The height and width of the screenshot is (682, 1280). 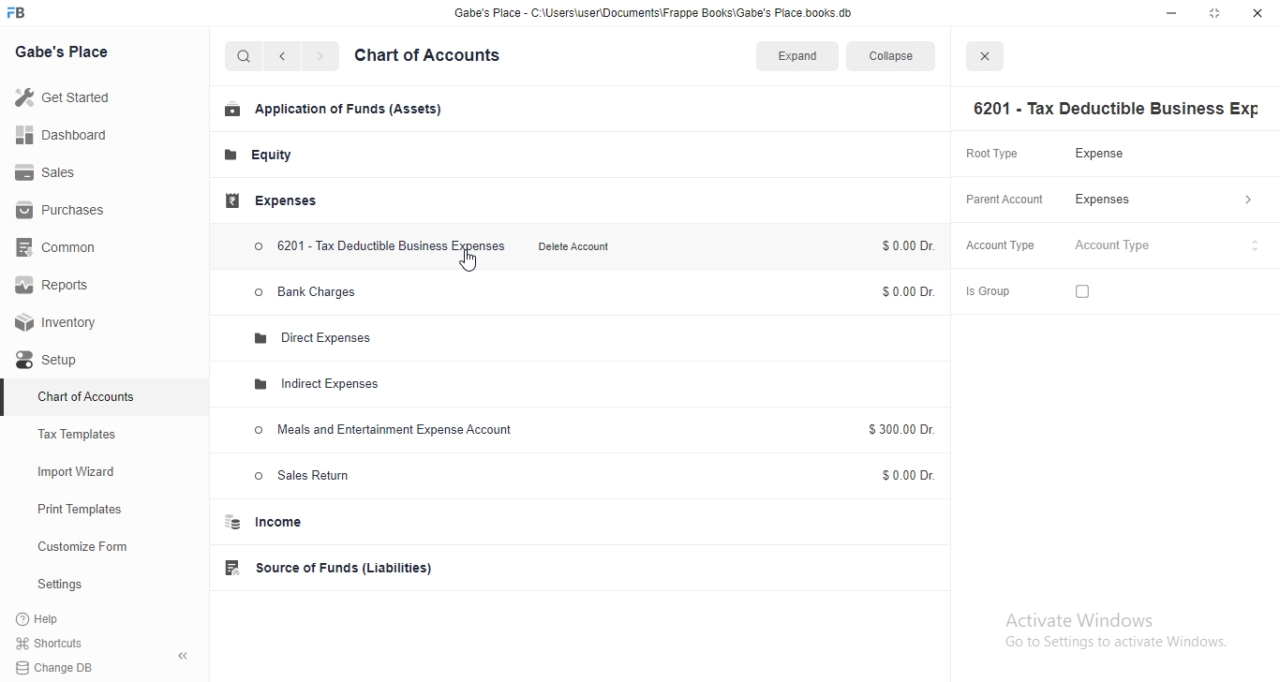 I want to click on > Bank Charges, so click(x=316, y=296).